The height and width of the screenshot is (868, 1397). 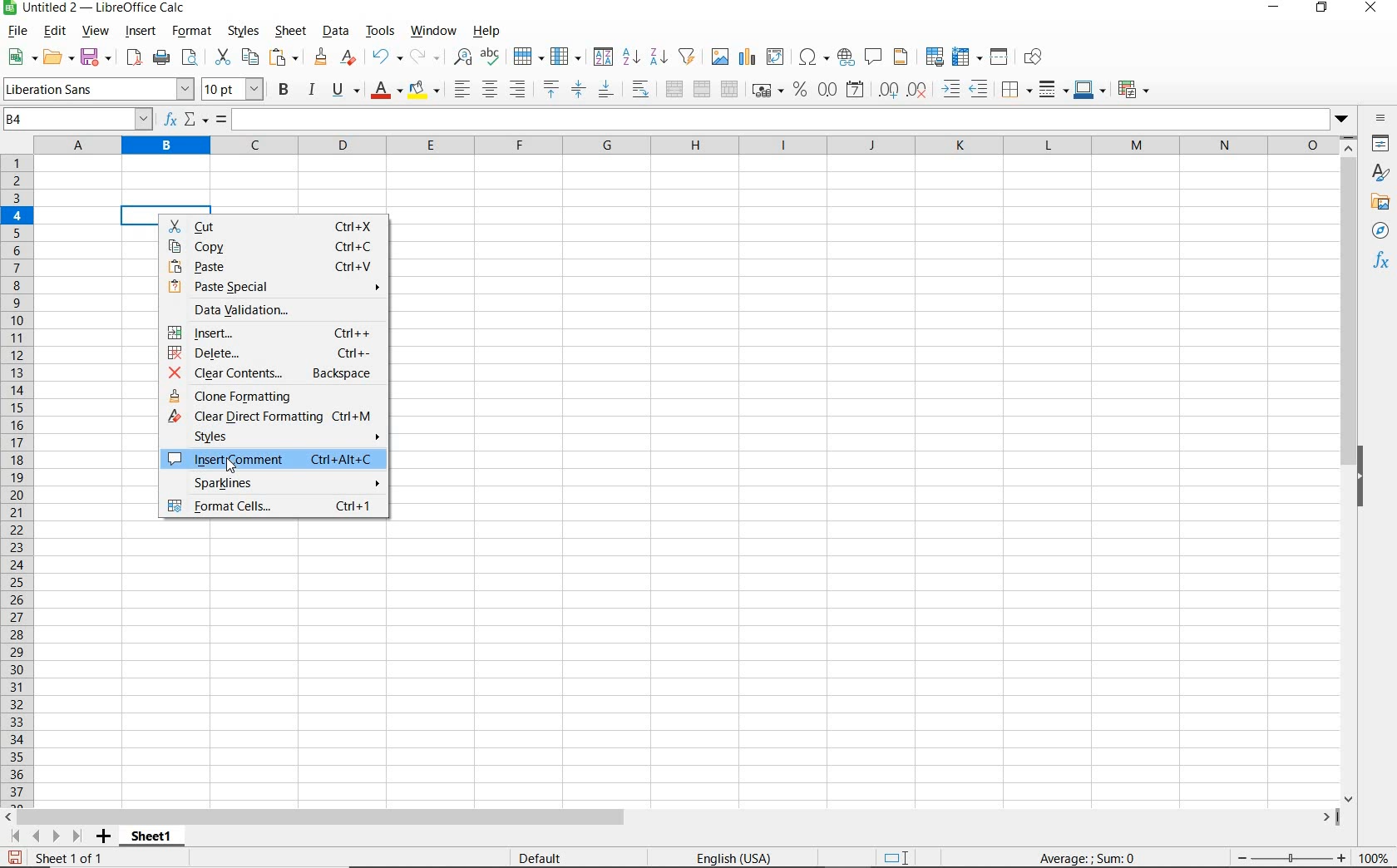 What do you see at coordinates (1081, 857) in the screenshot?
I see `Average:; Sum:0` at bounding box center [1081, 857].